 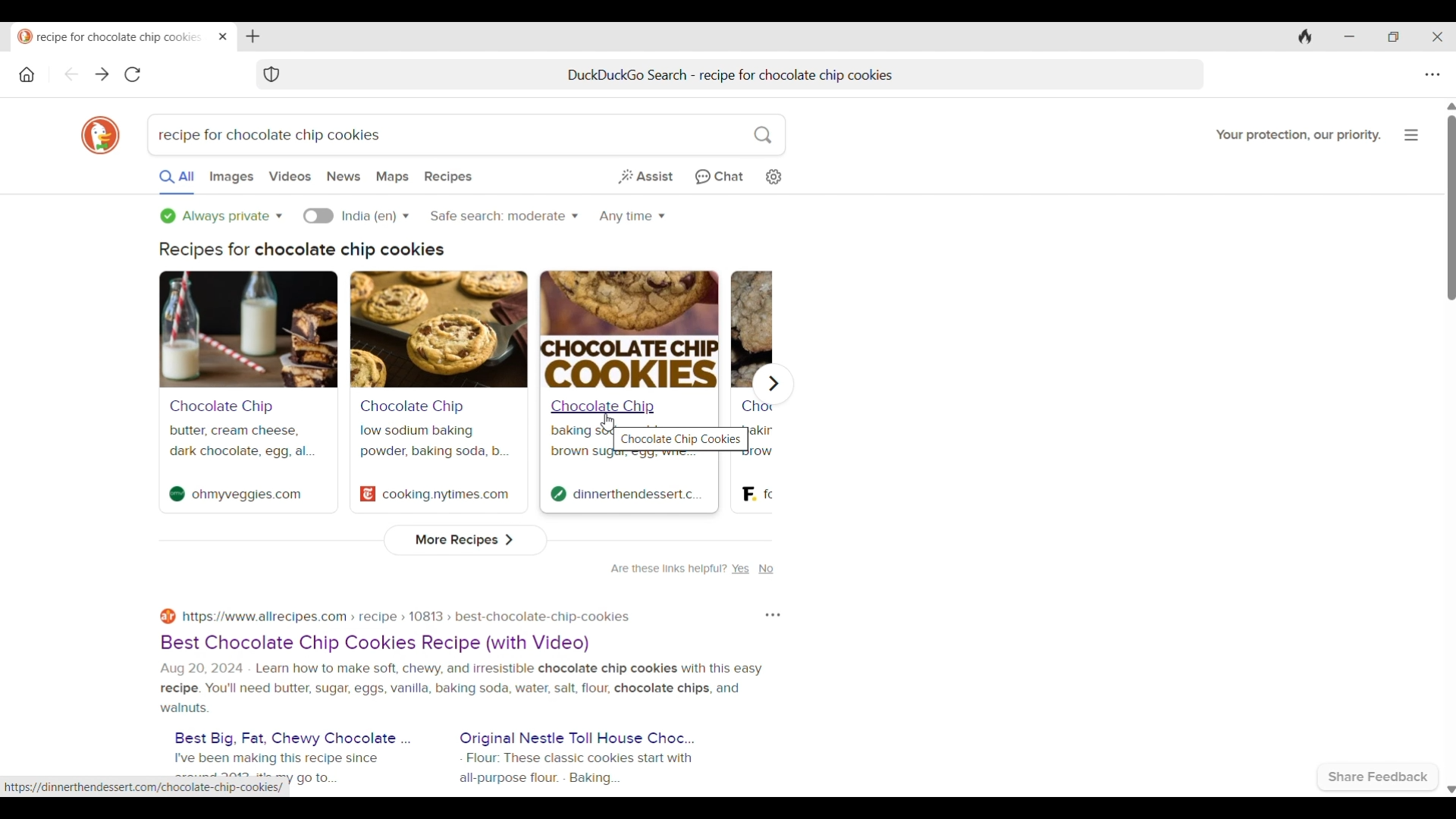 I want to click on https://www.allrecipes.com > recipe » 10813 » best-chocolate-chip-cookies, so click(x=407, y=617).